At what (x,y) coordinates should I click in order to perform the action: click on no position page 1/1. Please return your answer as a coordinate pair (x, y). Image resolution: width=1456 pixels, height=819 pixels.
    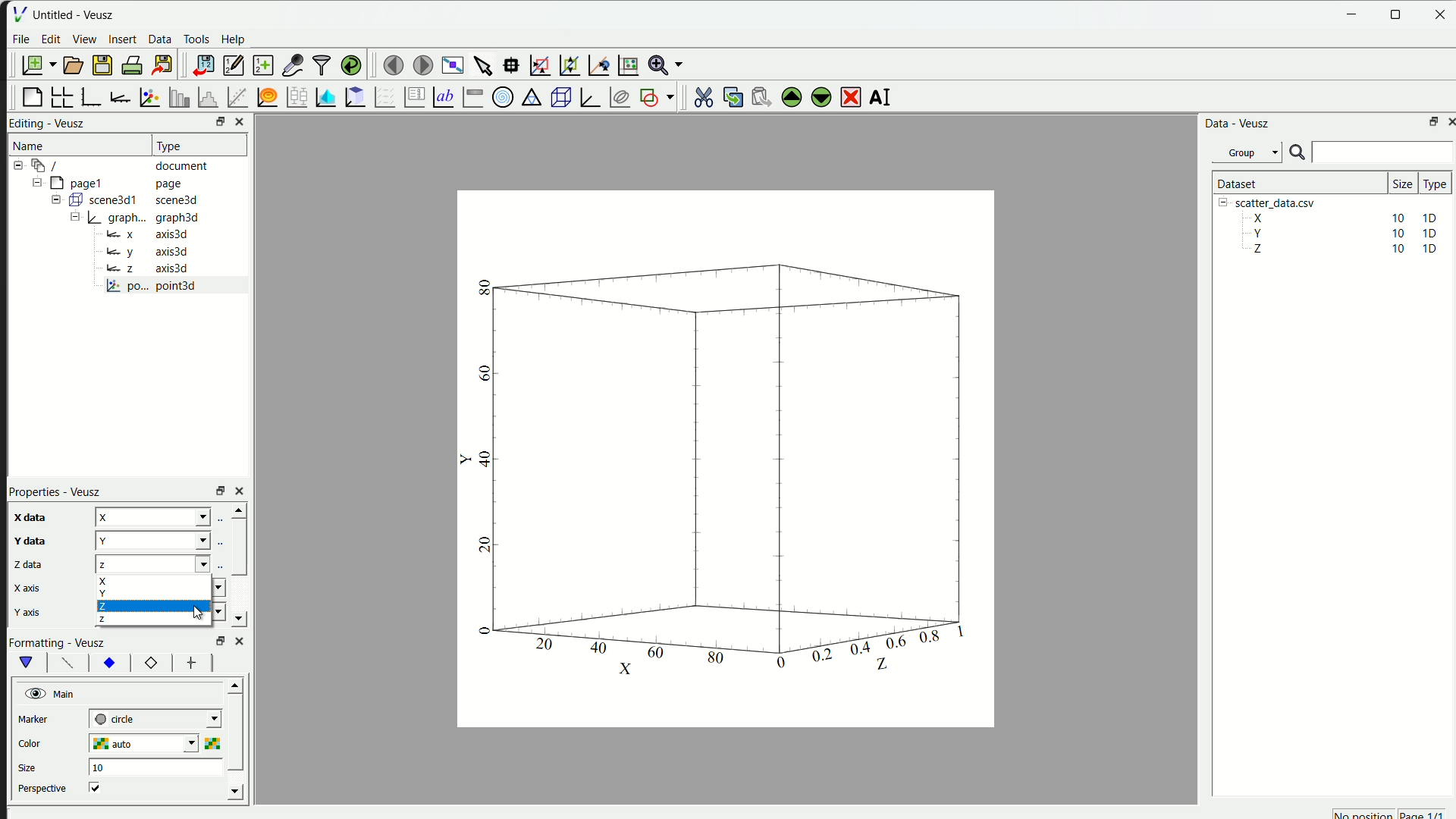
    Looking at the image, I should click on (1393, 812).